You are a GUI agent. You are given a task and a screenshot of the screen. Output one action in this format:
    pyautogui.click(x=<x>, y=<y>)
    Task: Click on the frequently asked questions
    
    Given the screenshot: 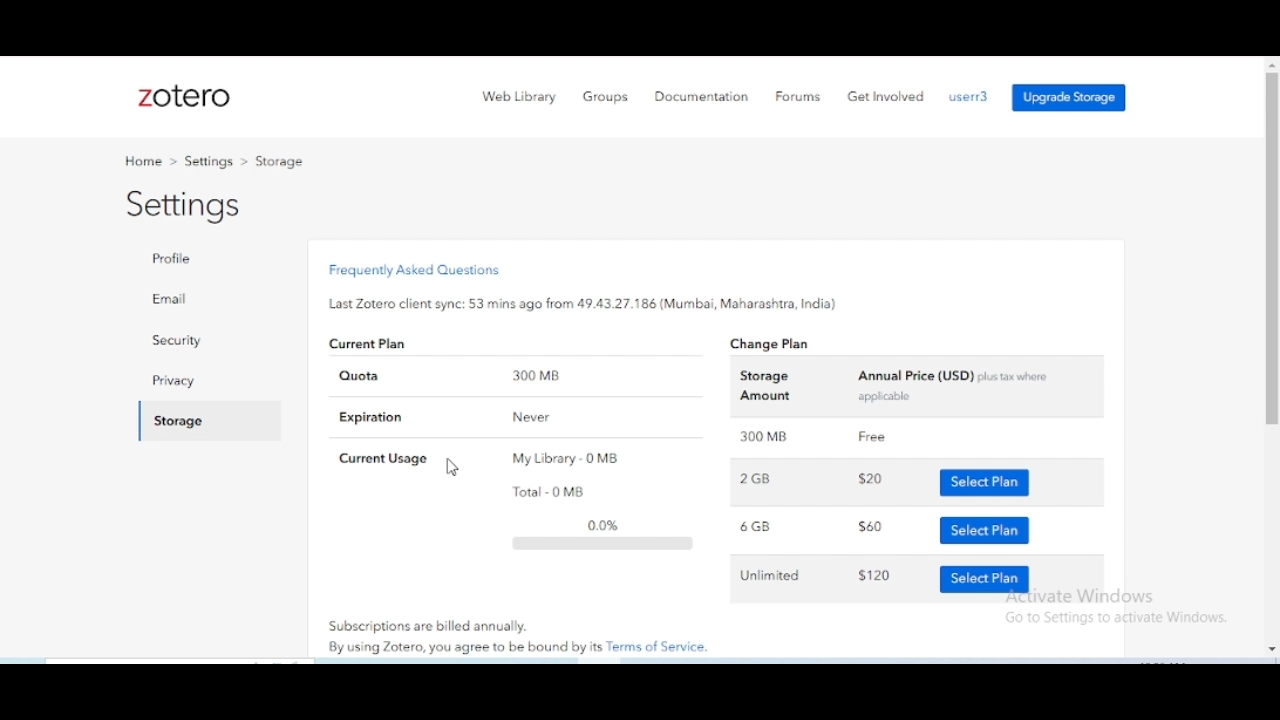 What is the action you would take?
    pyautogui.click(x=415, y=269)
    